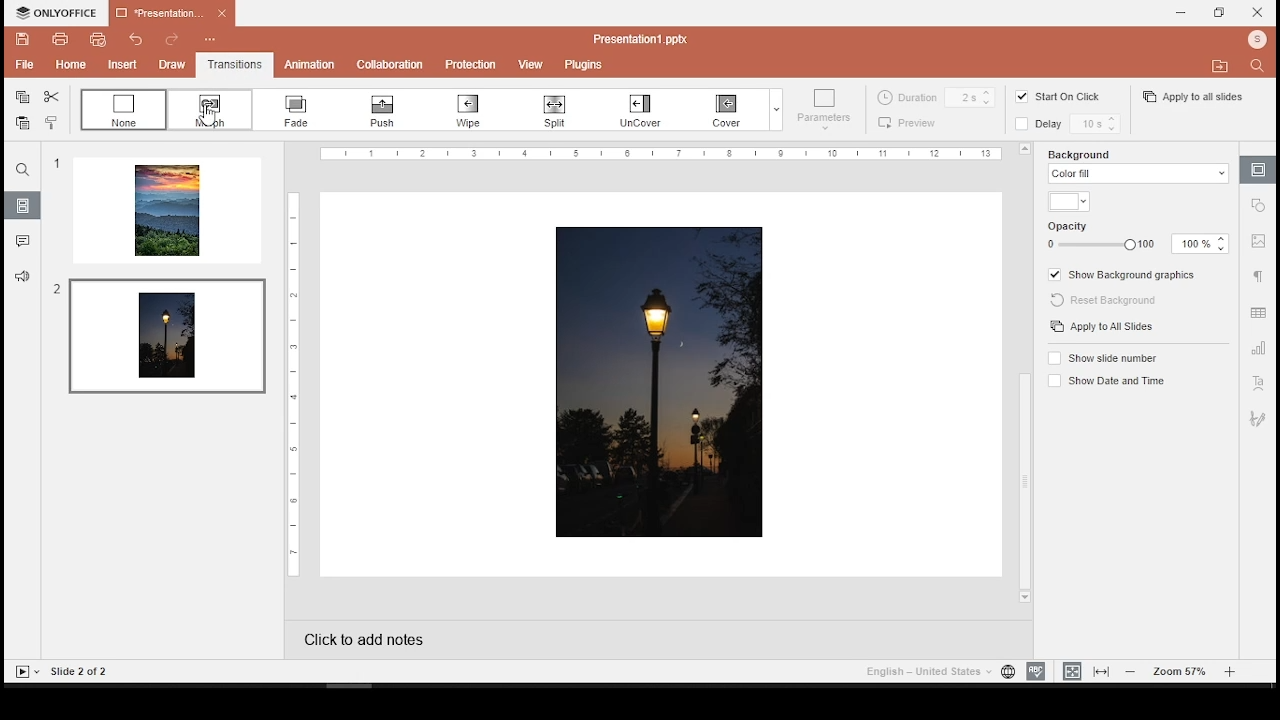 This screenshot has height=720, width=1280. I want to click on change color theme, so click(738, 107).